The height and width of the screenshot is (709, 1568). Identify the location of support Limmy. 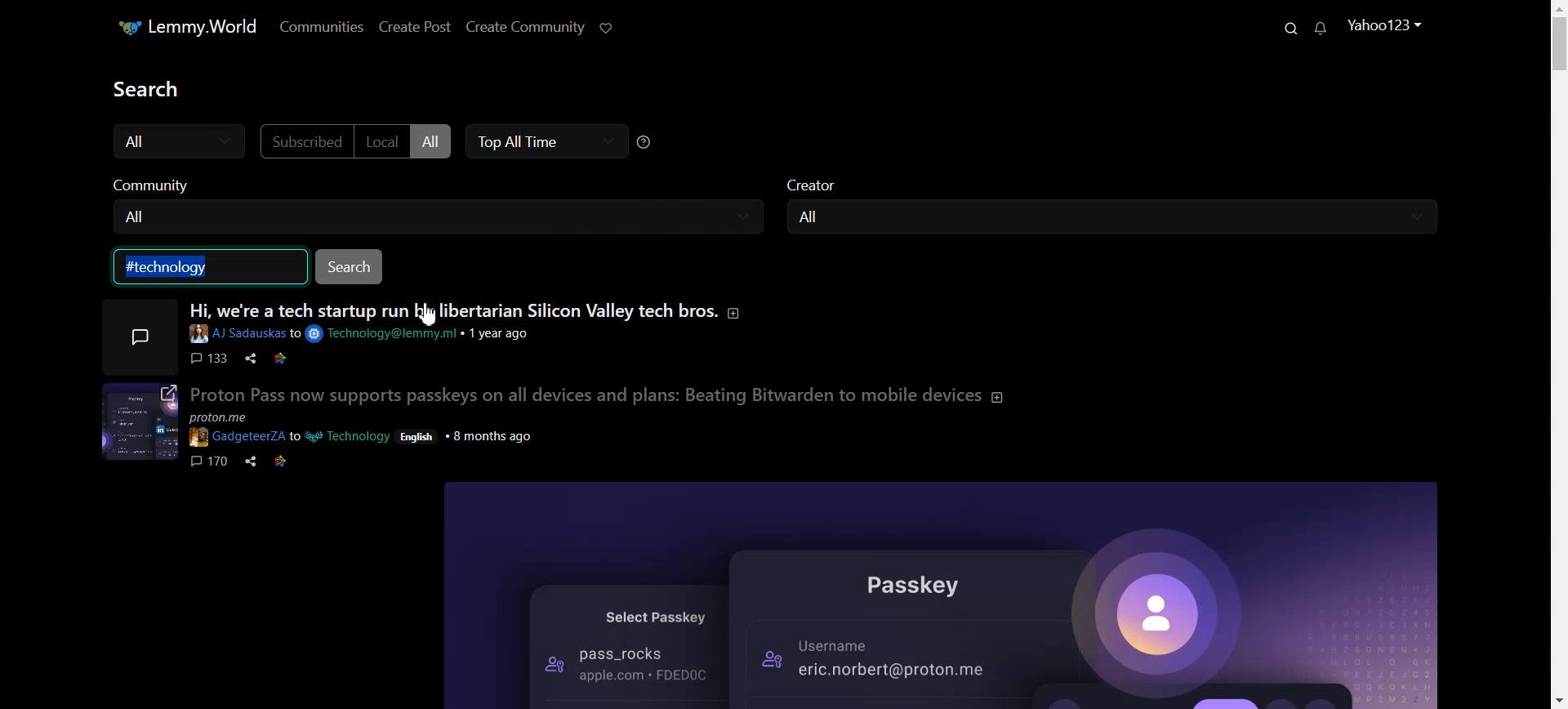
(609, 26).